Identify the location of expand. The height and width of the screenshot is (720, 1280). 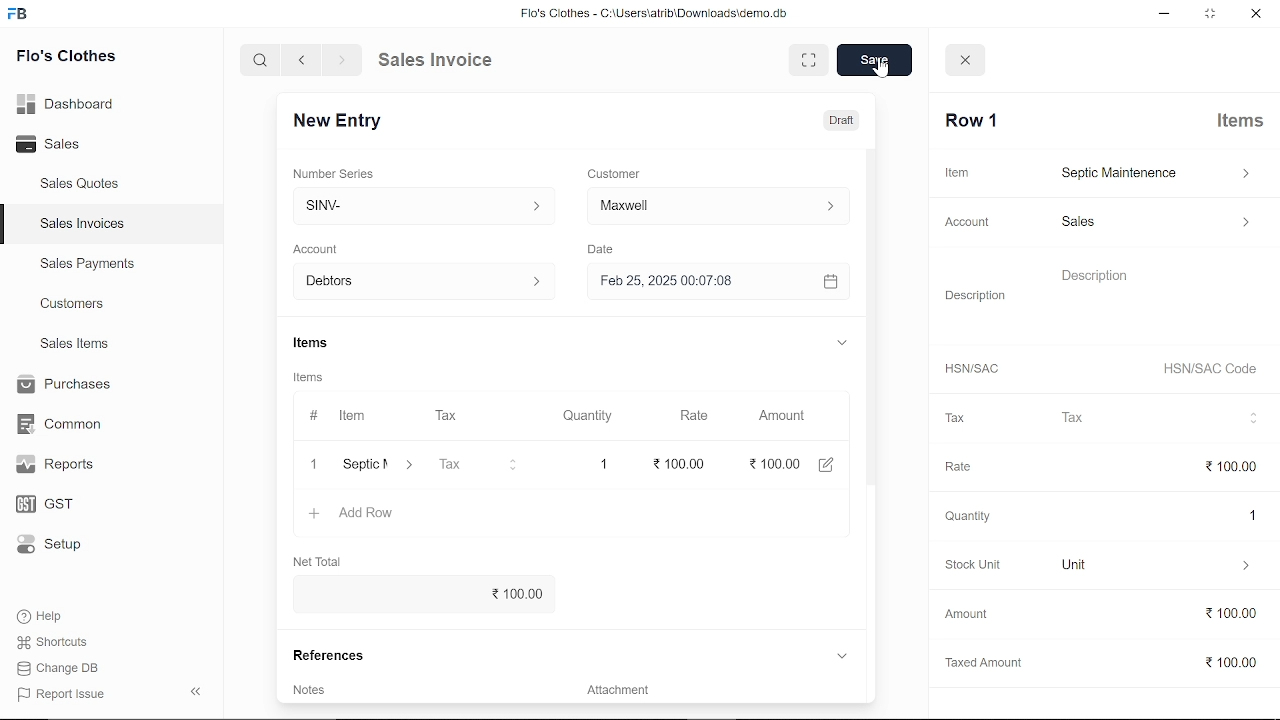
(841, 342).